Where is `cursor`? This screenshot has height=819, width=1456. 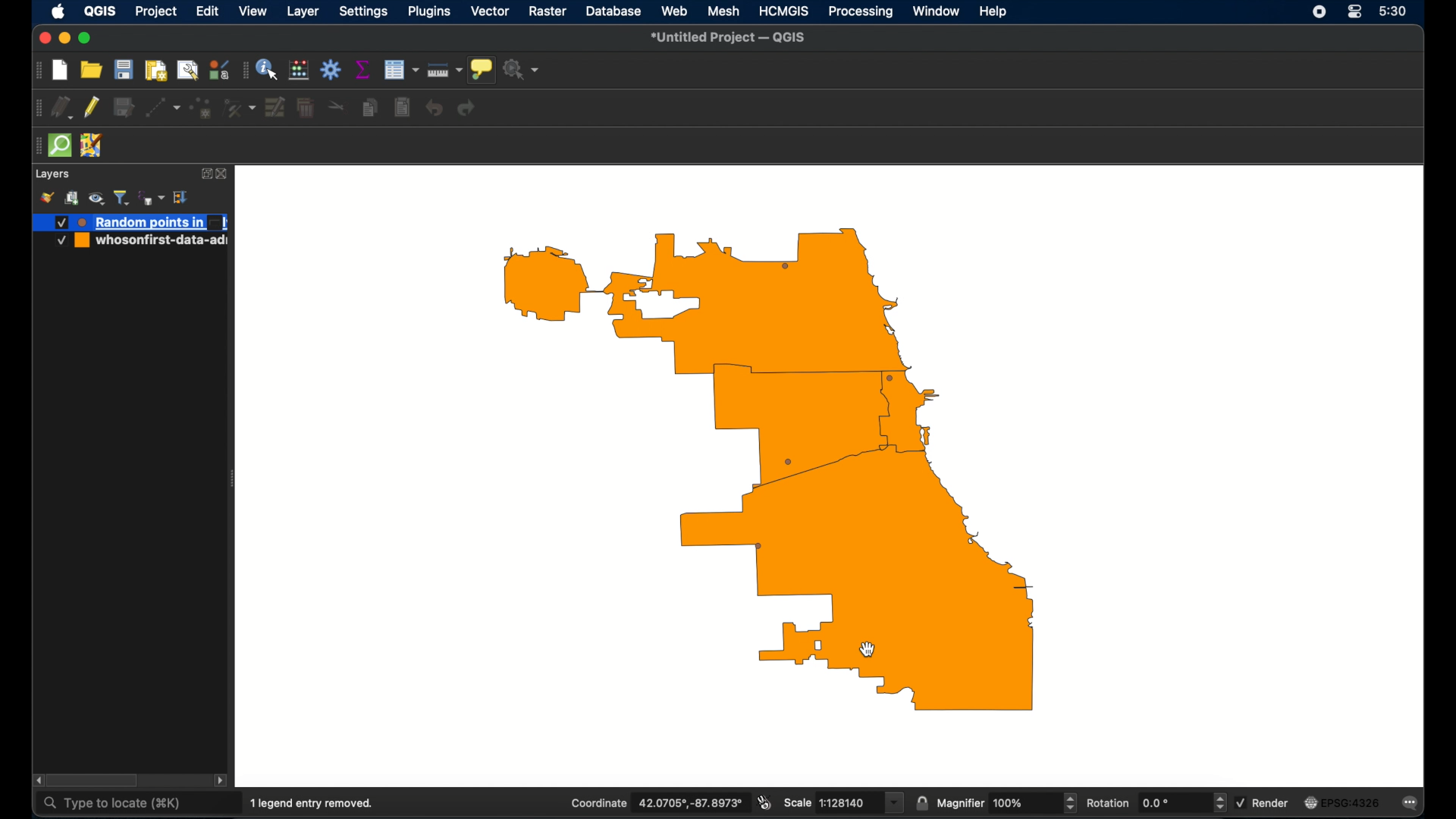 cursor is located at coordinates (868, 650).